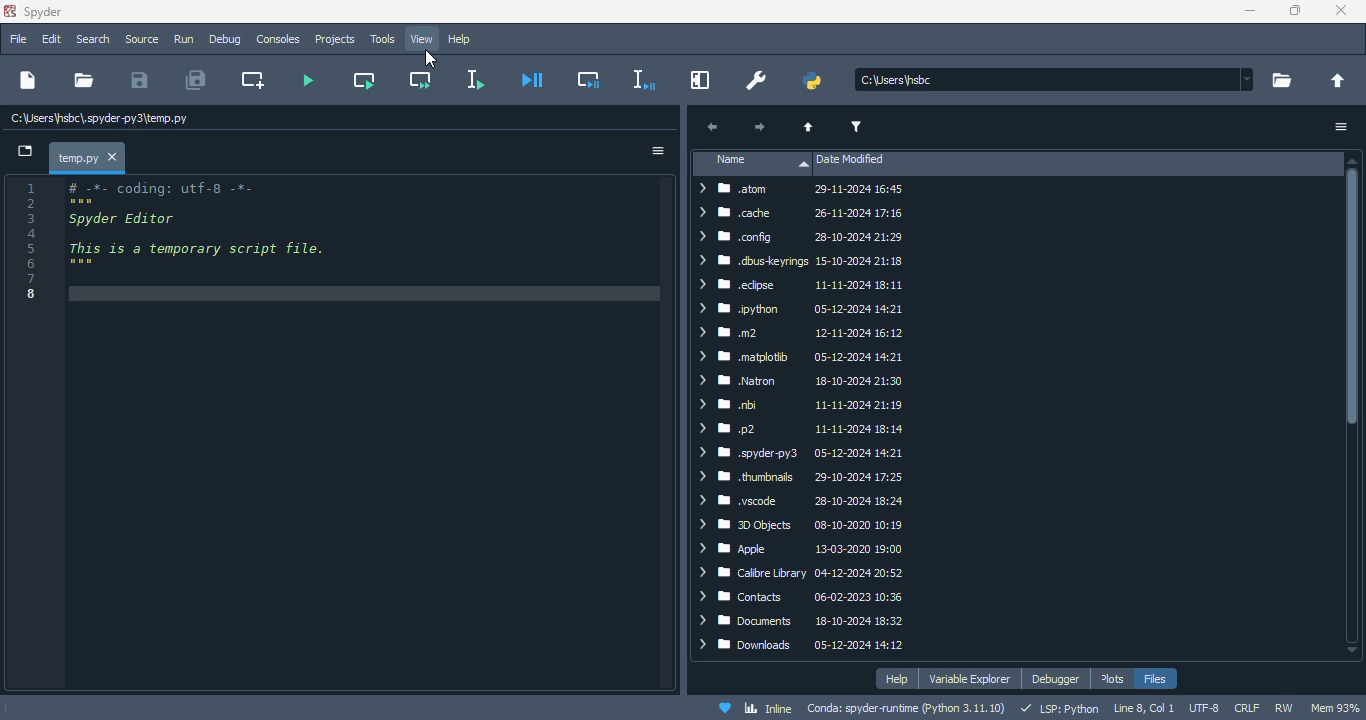  I want to click on help, so click(459, 40).